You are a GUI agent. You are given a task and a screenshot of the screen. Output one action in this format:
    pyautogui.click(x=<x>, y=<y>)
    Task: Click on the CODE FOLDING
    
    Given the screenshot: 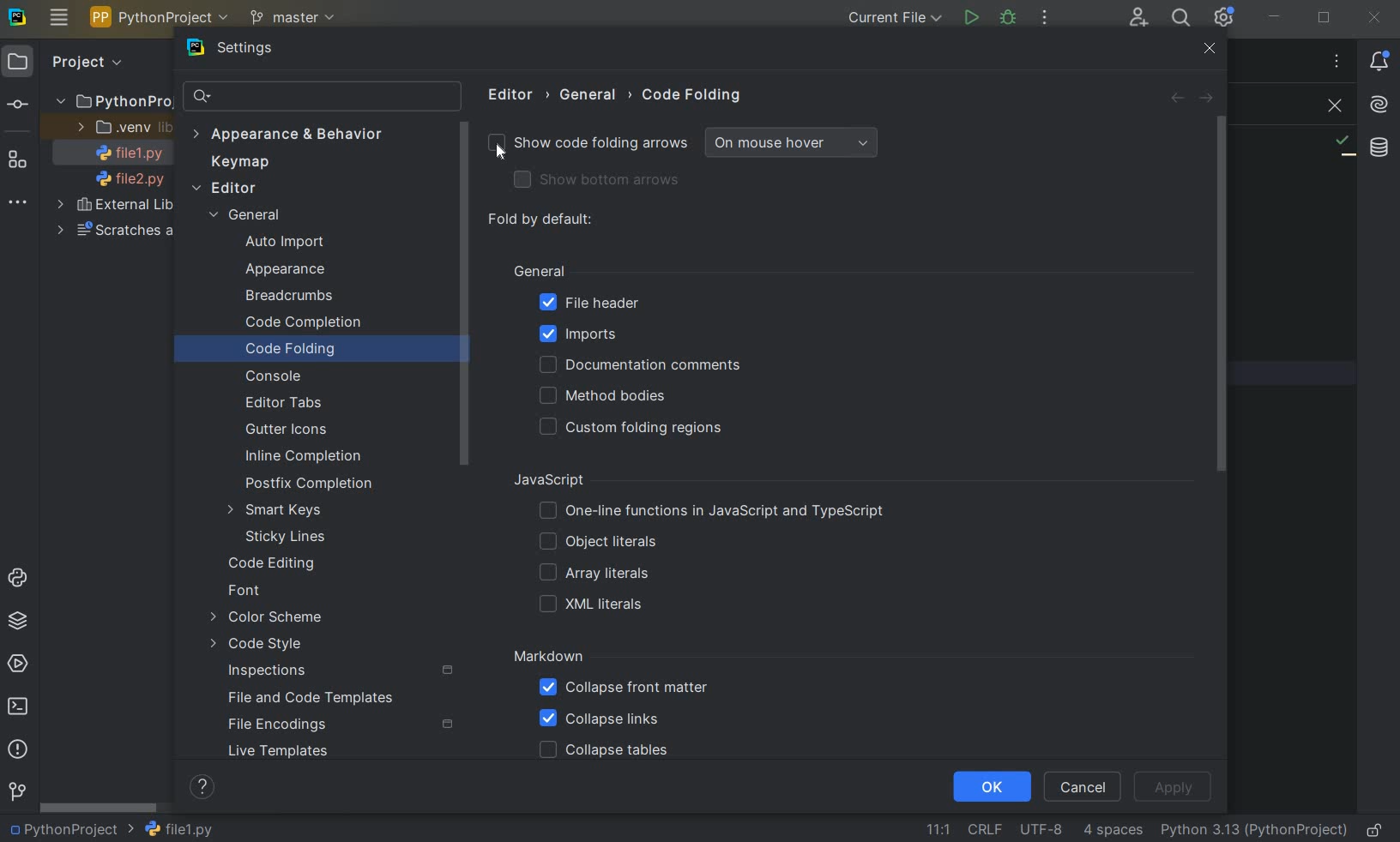 What is the action you would take?
    pyautogui.click(x=693, y=99)
    